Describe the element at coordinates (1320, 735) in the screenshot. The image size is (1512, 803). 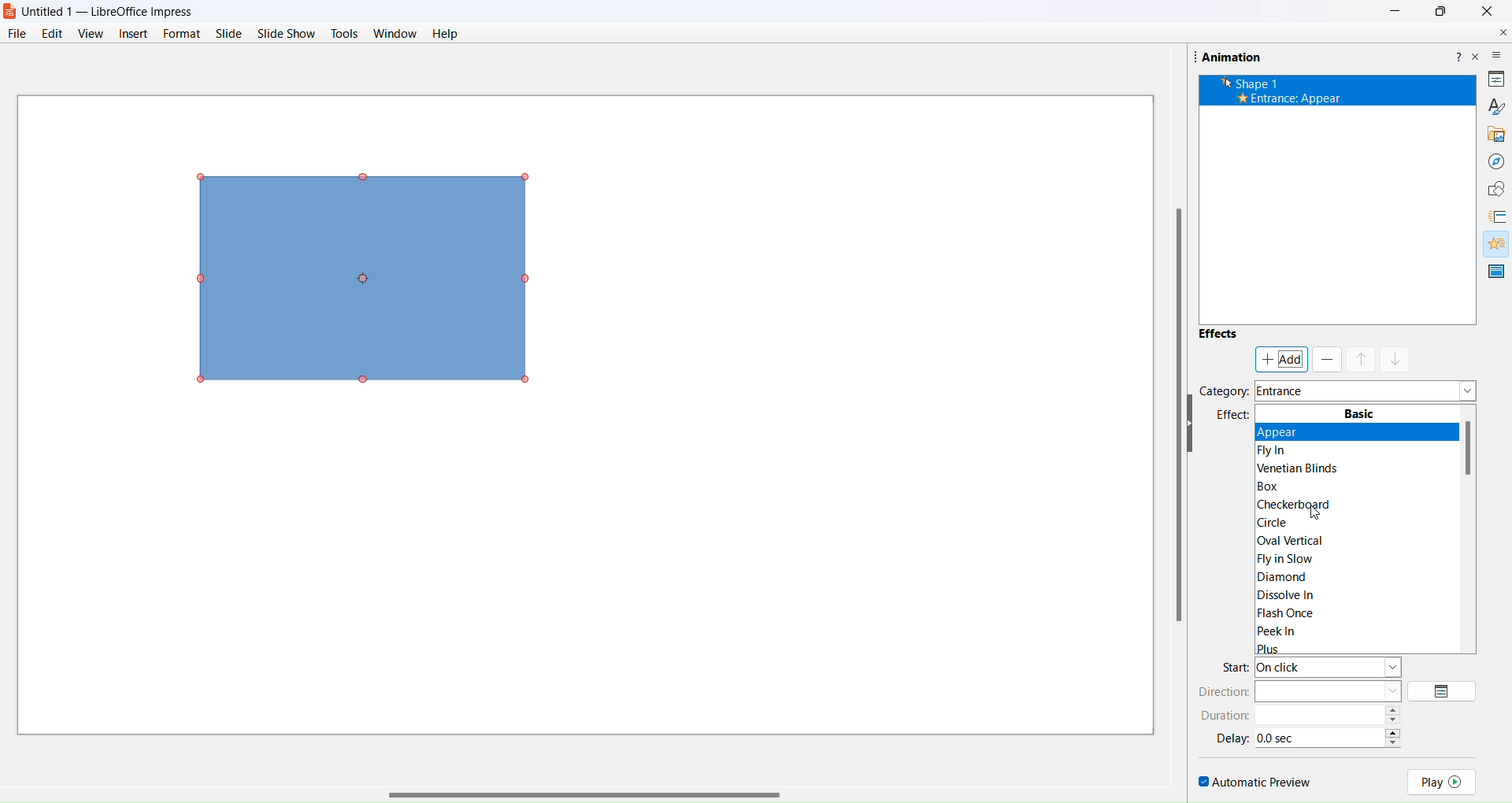
I see `time` at that location.